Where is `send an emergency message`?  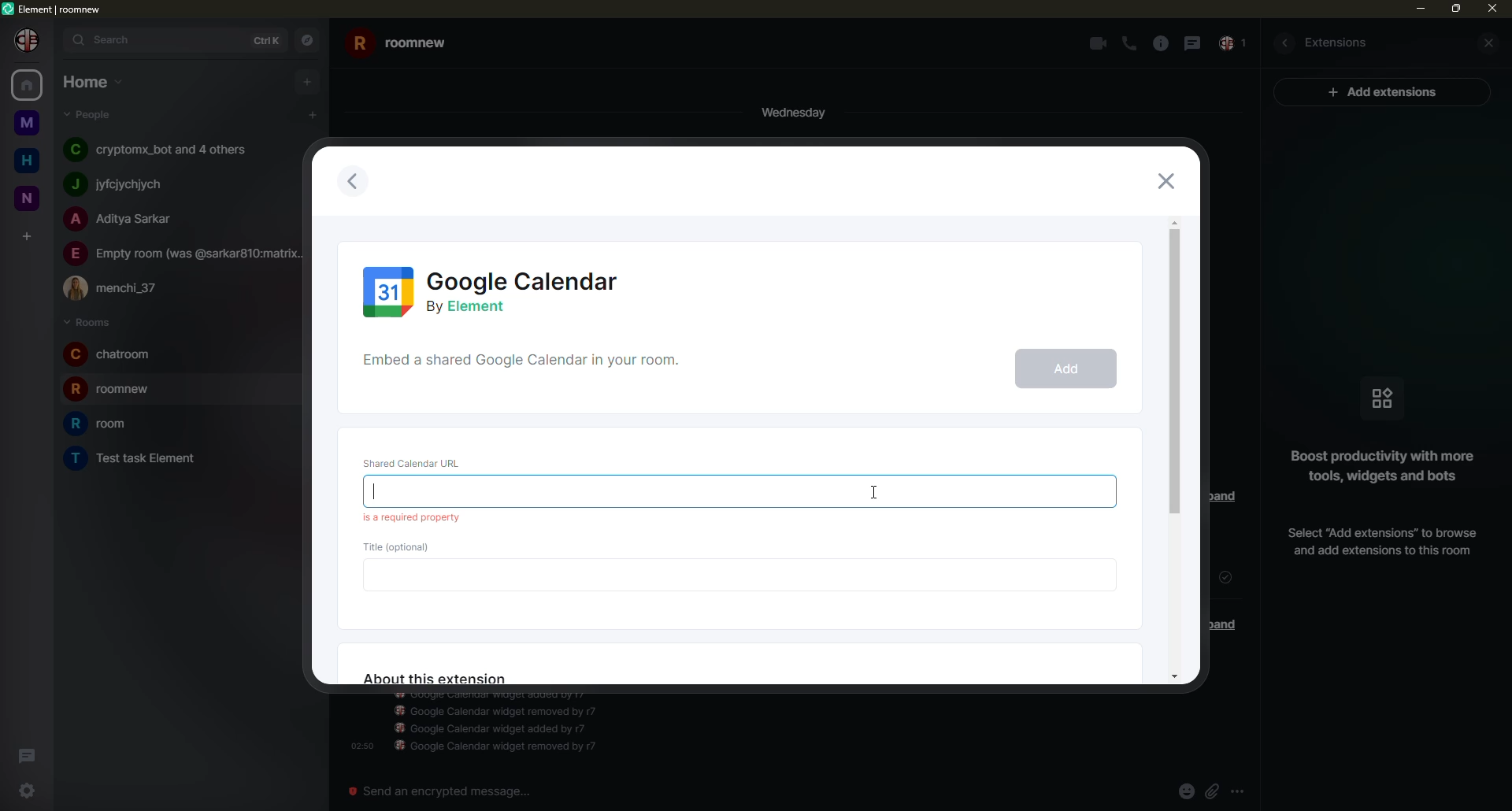 send an emergency message is located at coordinates (448, 792).